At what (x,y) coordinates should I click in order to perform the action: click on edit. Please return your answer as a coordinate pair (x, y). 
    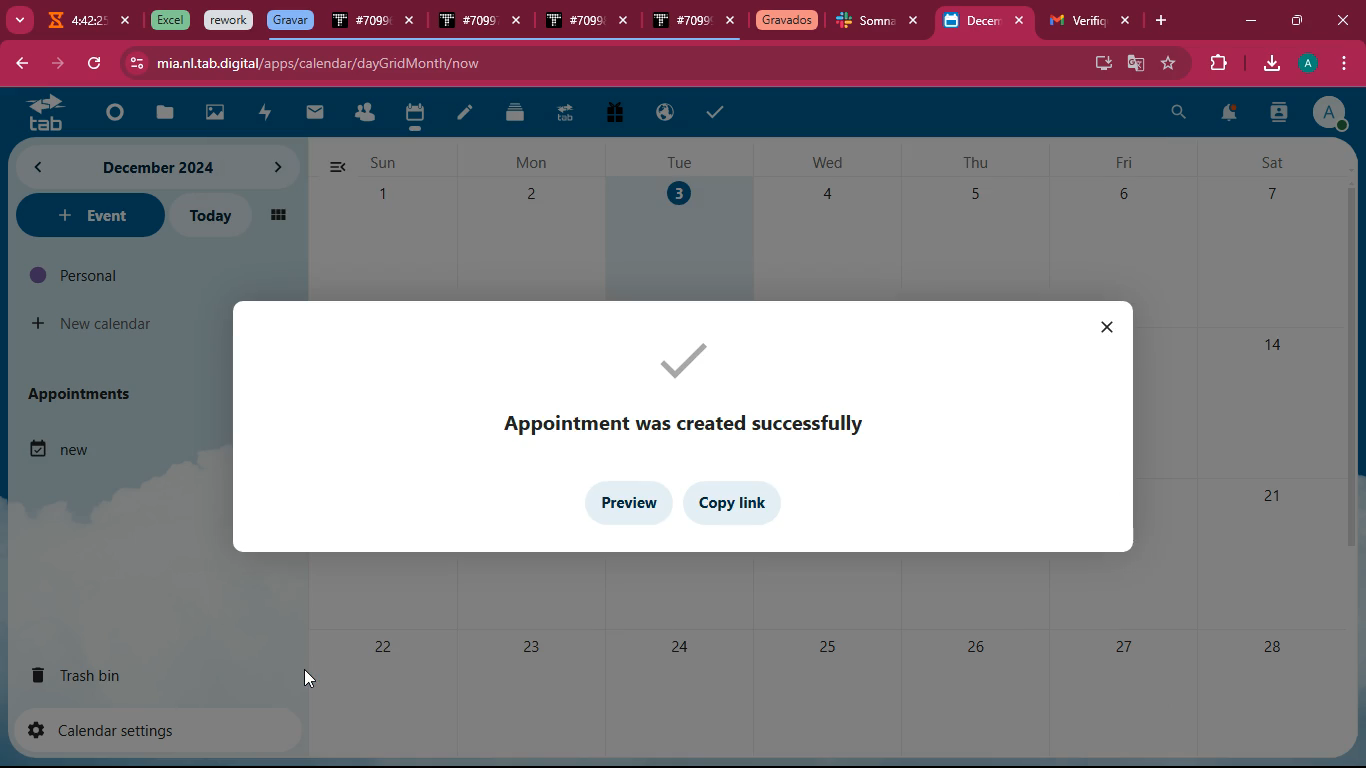
    Looking at the image, I should click on (465, 115).